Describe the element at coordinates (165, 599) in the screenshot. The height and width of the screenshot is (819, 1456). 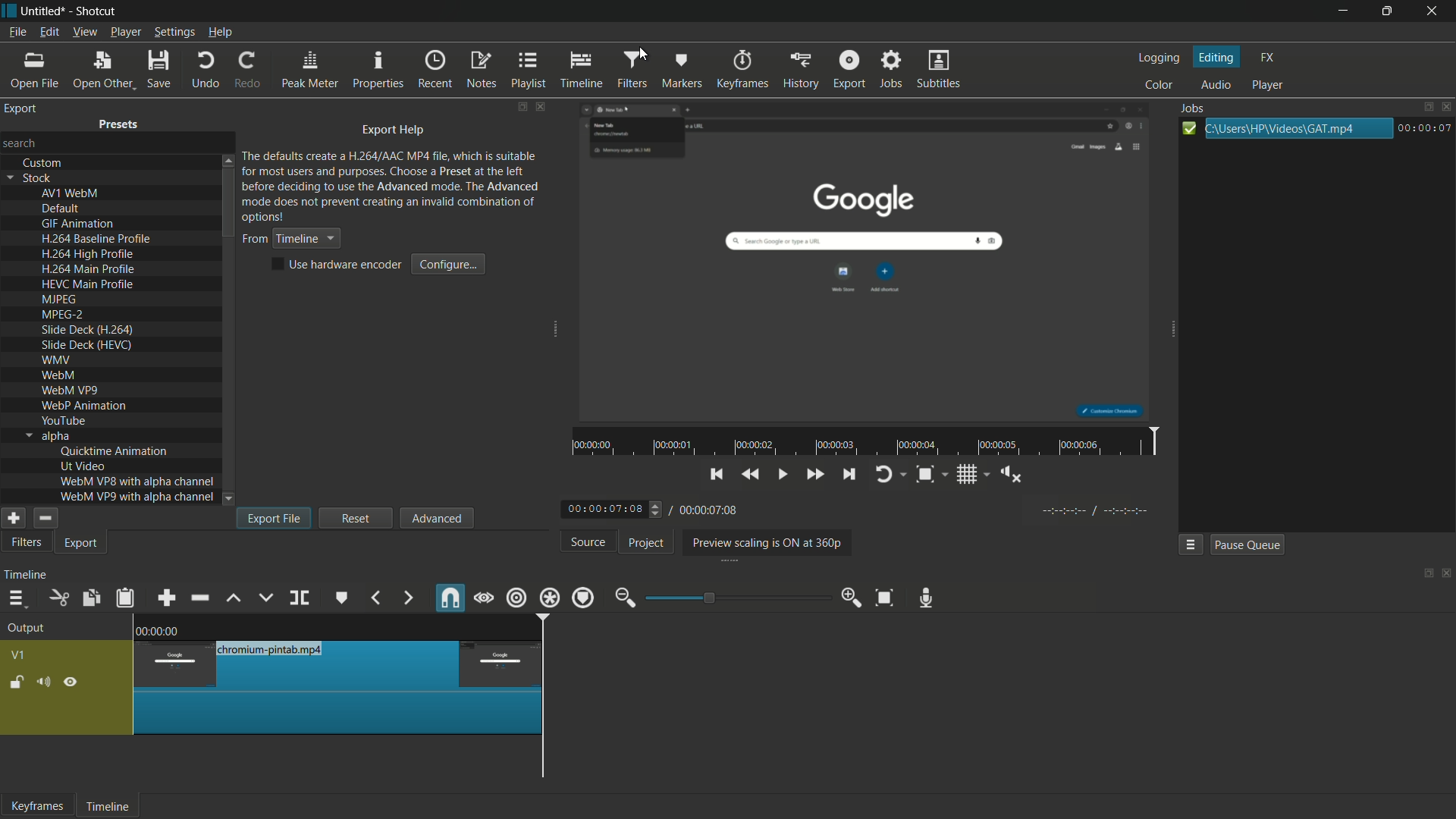
I see `append` at that location.